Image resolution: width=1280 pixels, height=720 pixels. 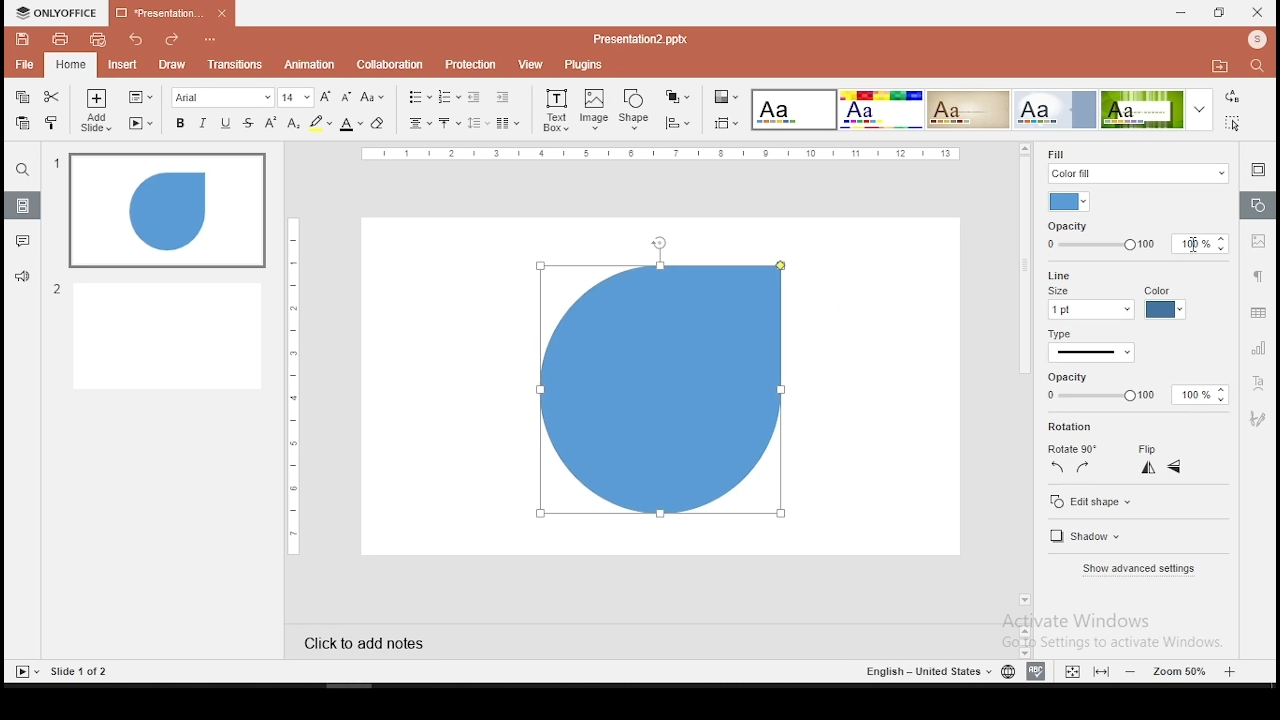 I want to click on add slide, so click(x=96, y=112).